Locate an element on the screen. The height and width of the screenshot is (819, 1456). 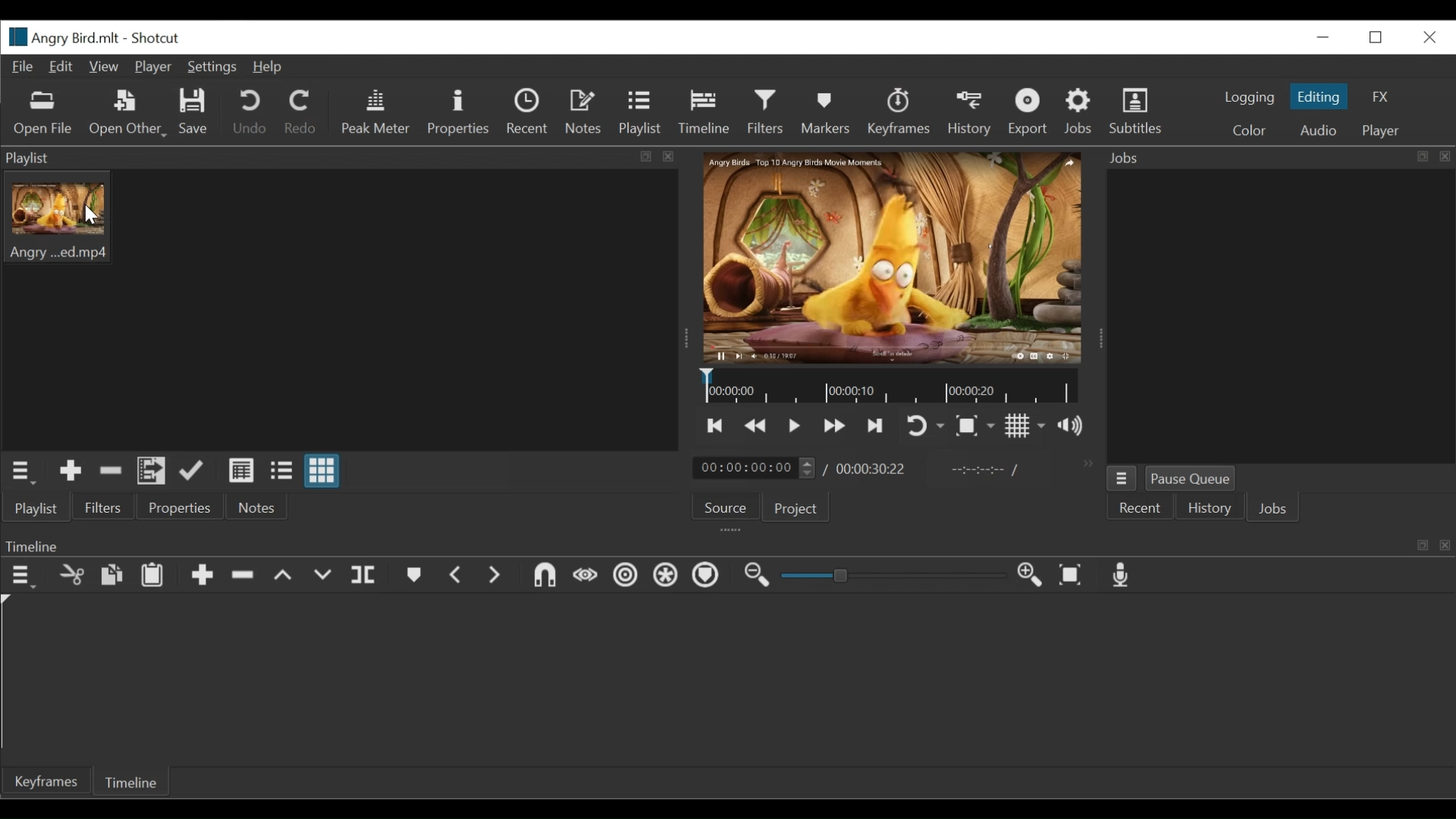
Settings is located at coordinates (210, 67).